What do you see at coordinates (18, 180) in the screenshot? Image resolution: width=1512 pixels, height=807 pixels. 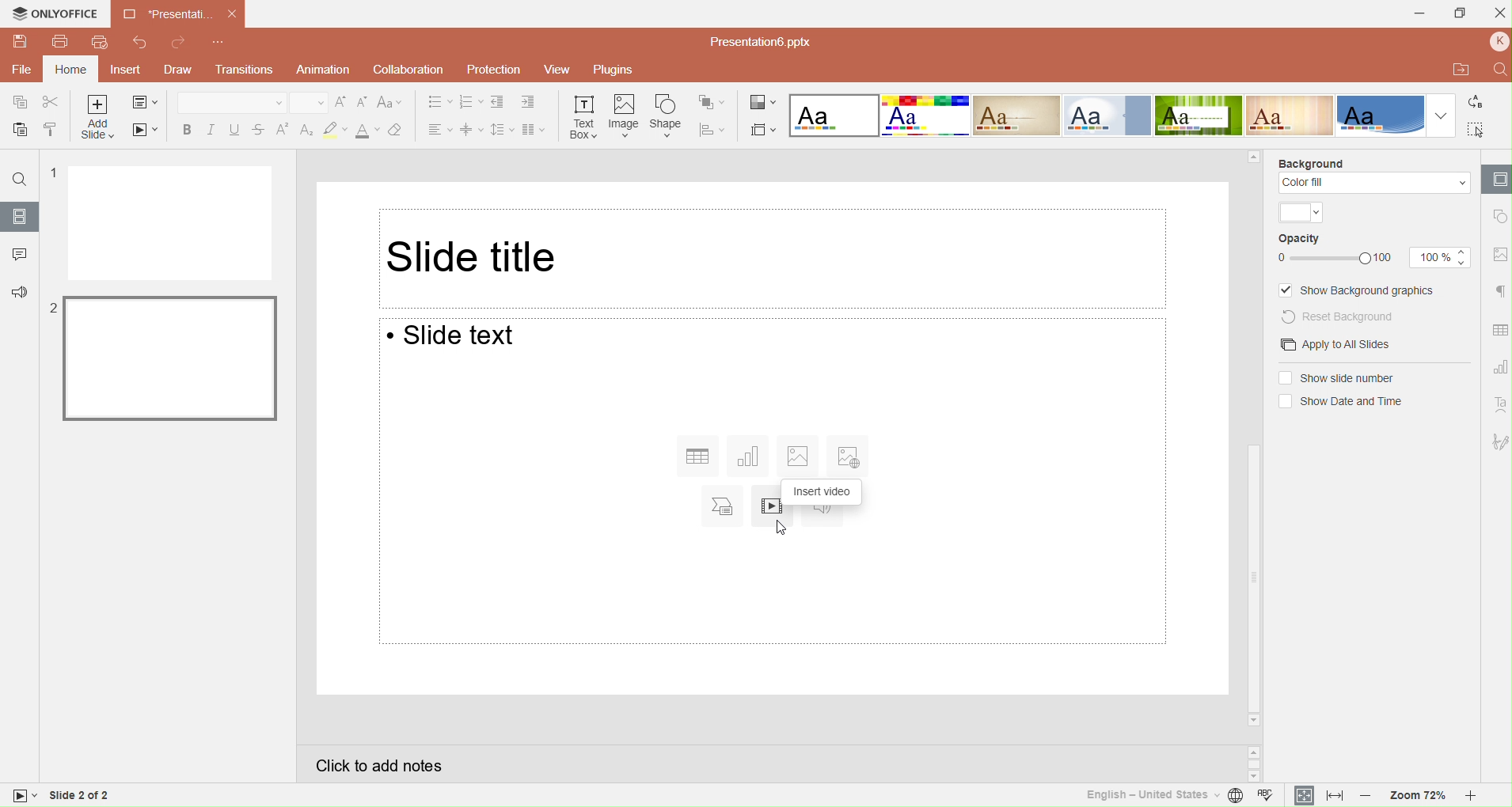 I see `Find` at bounding box center [18, 180].